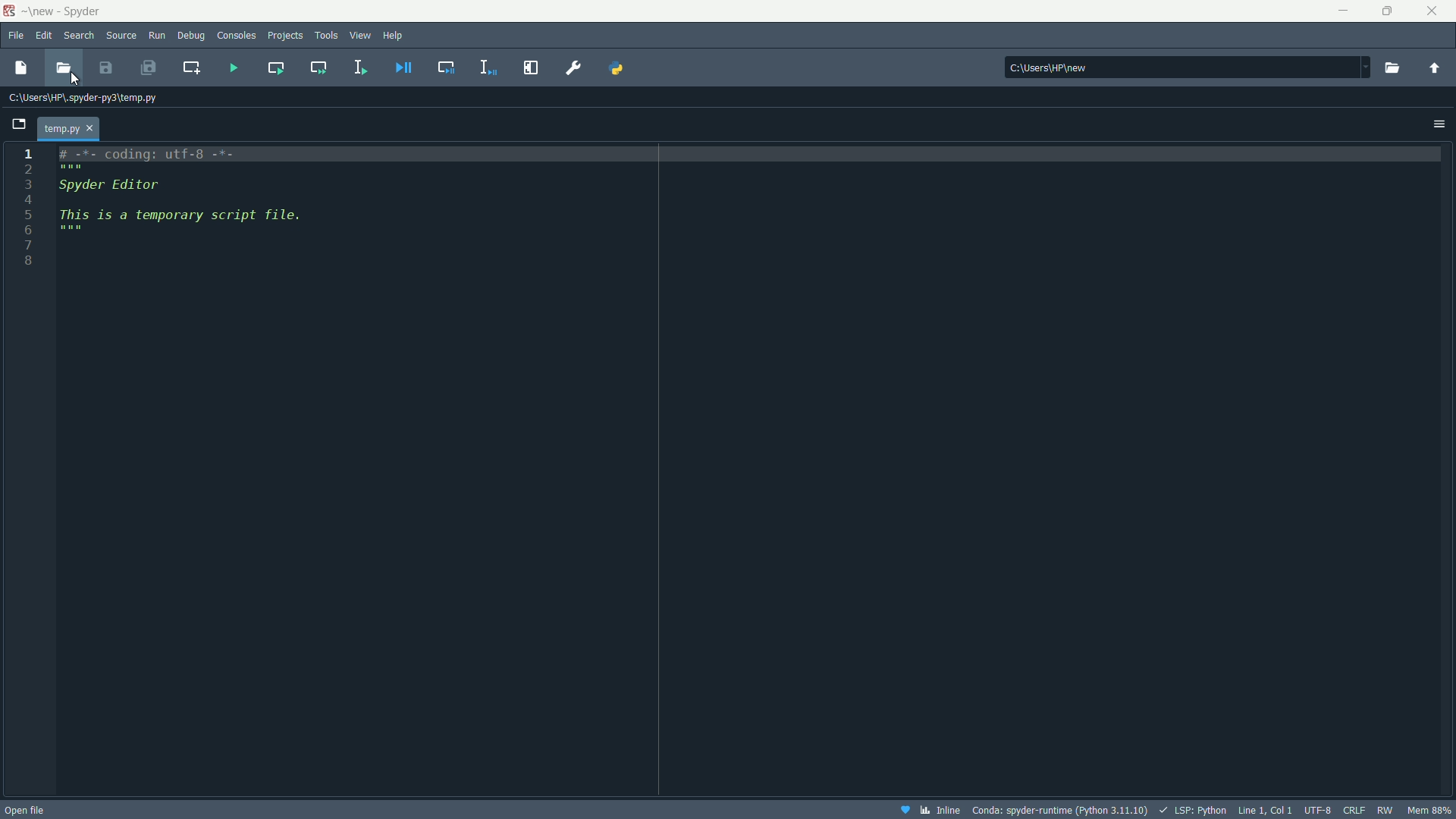 The image size is (1456, 819). Describe the element at coordinates (359, 66) in the screenshot. I see `Run selection or current line` at that location.